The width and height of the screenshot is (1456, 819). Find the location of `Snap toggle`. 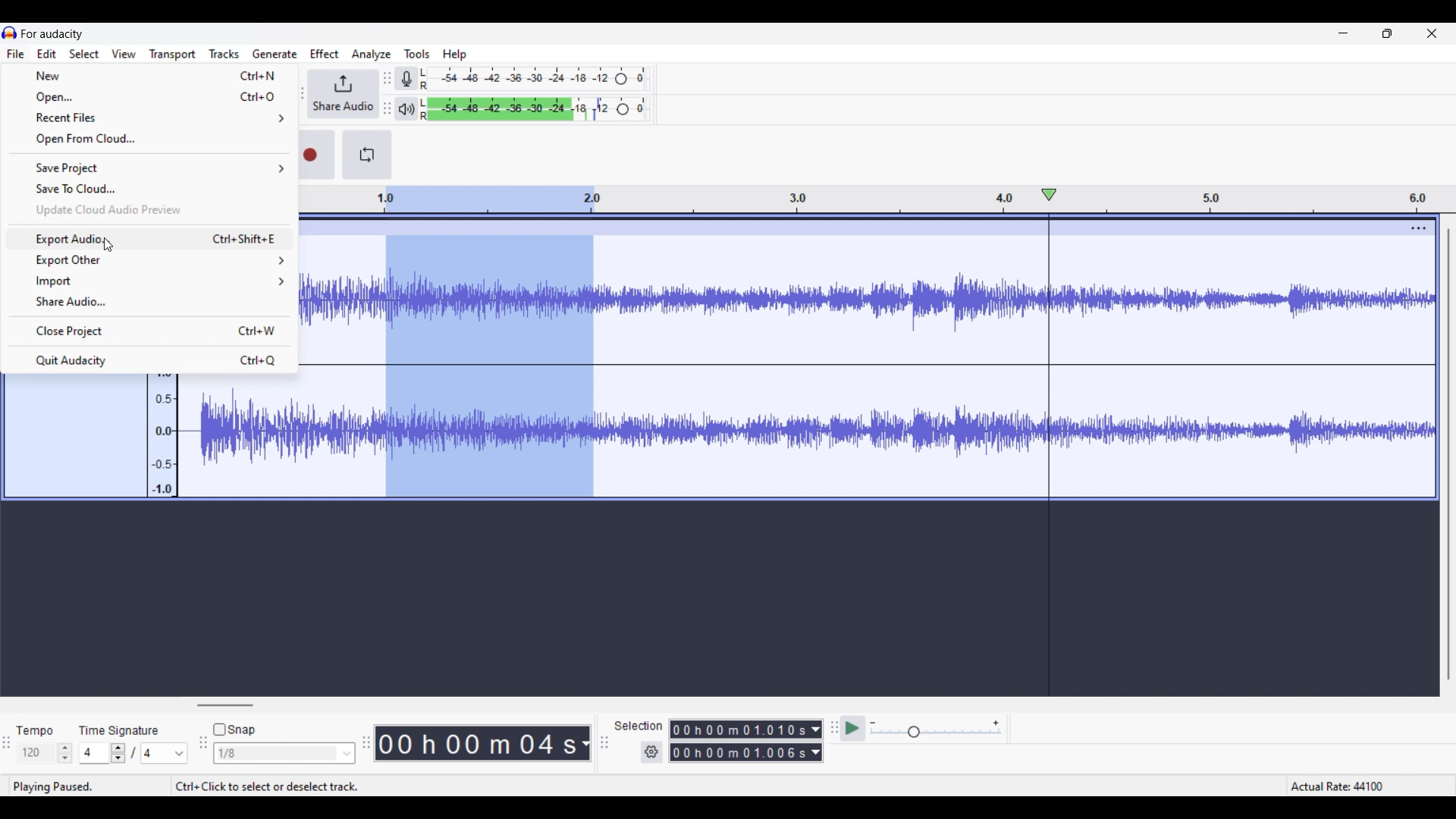

Snap toggle is located at coordinates (234, 730).